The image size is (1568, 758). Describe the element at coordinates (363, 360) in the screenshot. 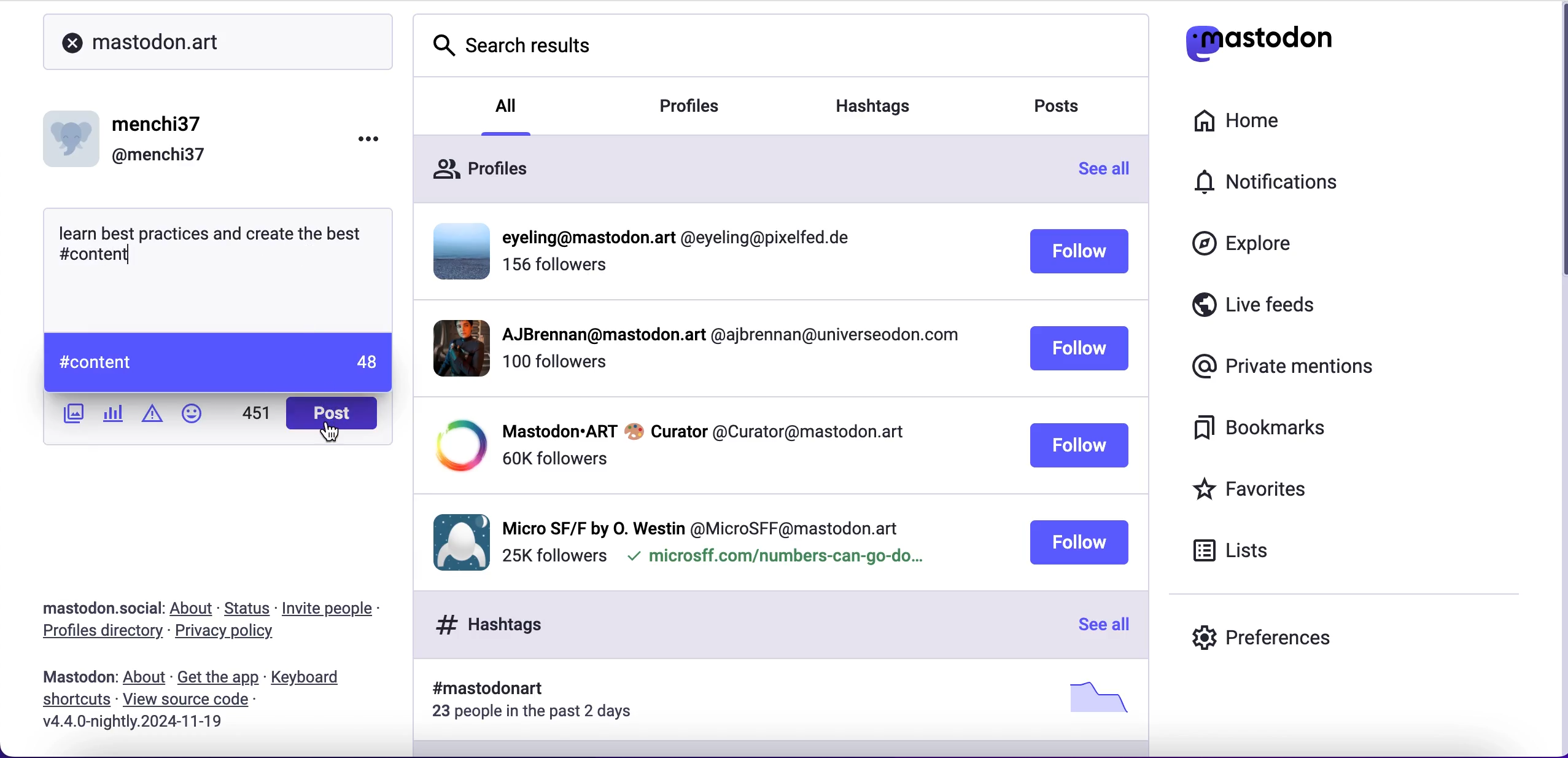

I see `48` at that location.